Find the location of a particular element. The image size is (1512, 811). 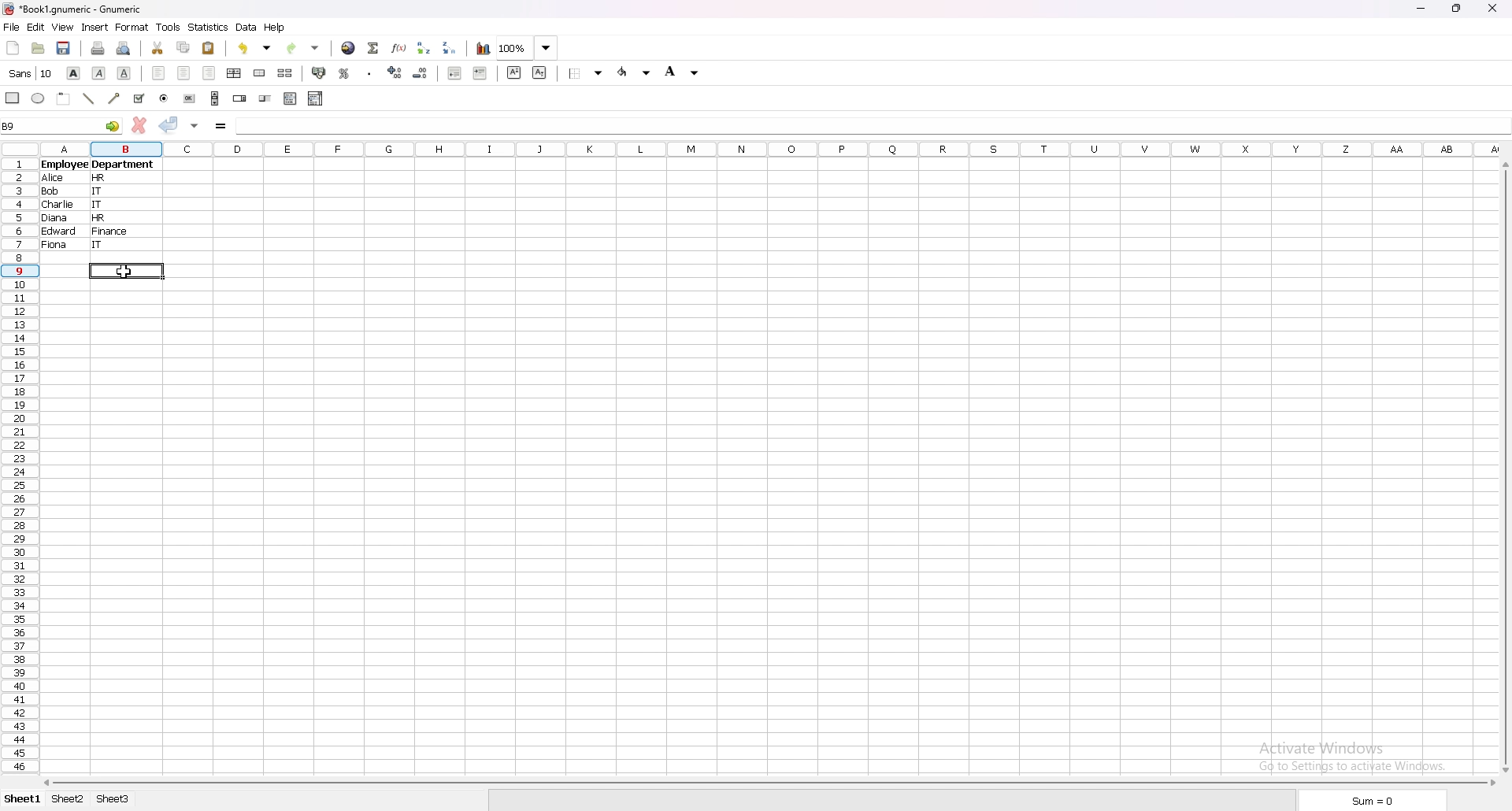

border is located at coordinates (586, 73).